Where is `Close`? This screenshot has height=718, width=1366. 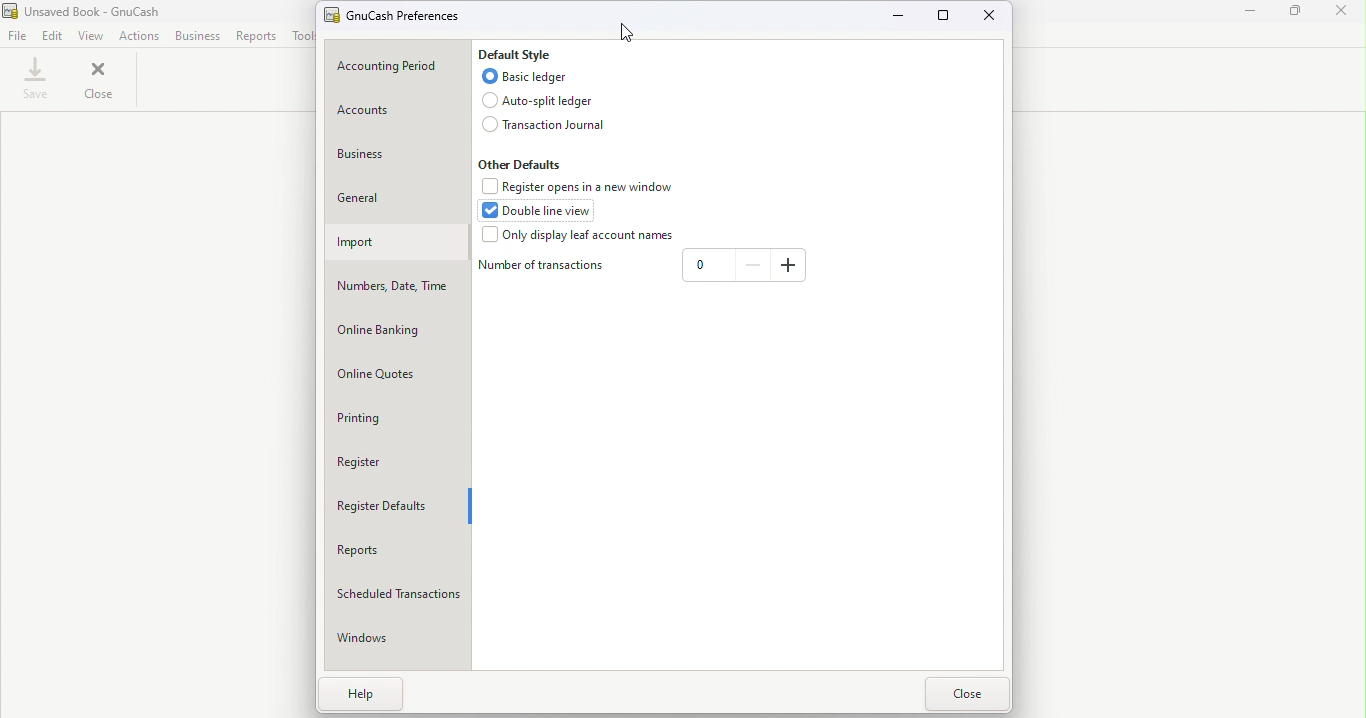
Close is located at coordinates (1345, 17).